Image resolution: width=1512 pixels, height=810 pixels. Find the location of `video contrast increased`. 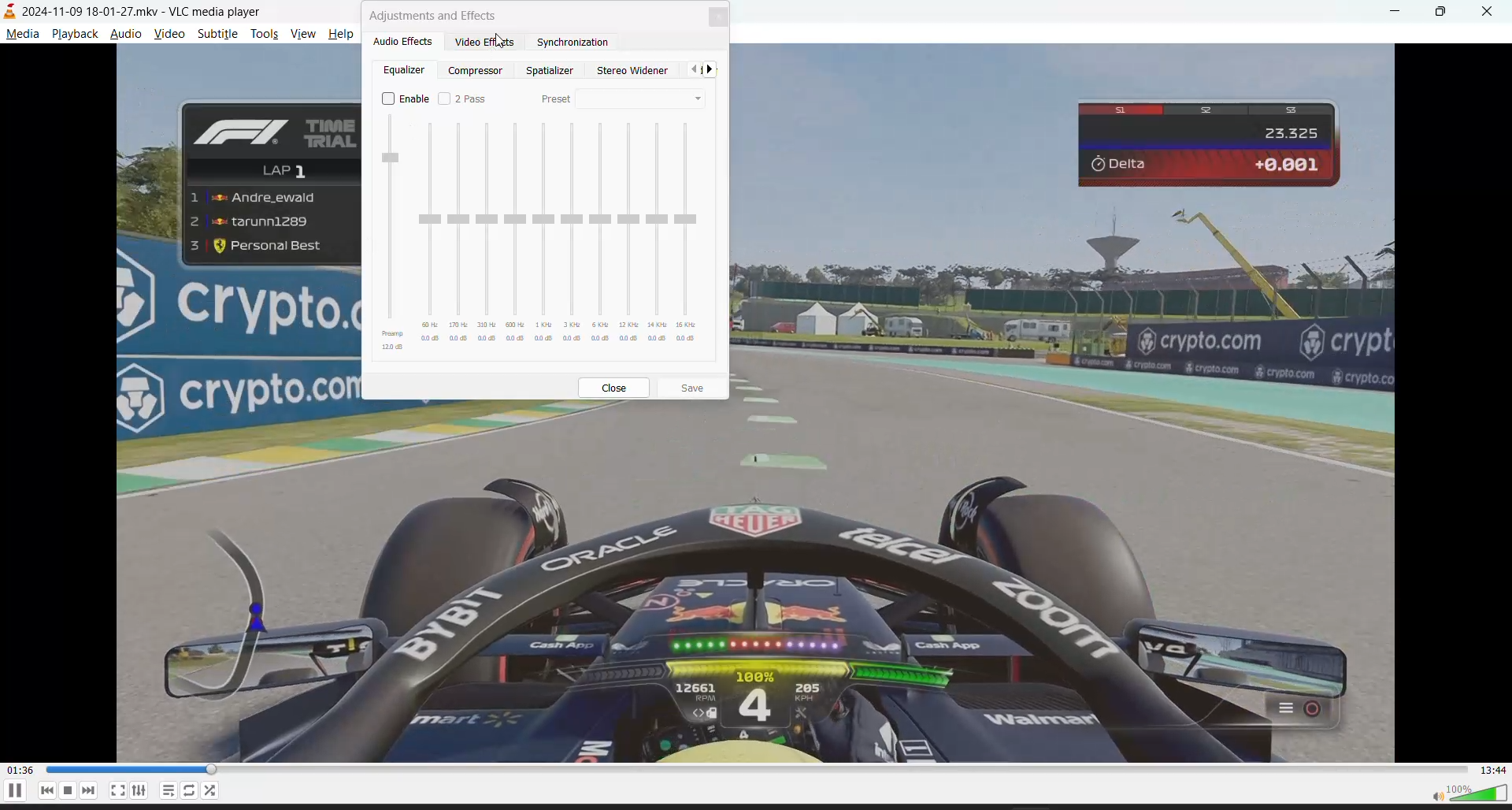

video contrast increased is located at coordinates (758, 589).